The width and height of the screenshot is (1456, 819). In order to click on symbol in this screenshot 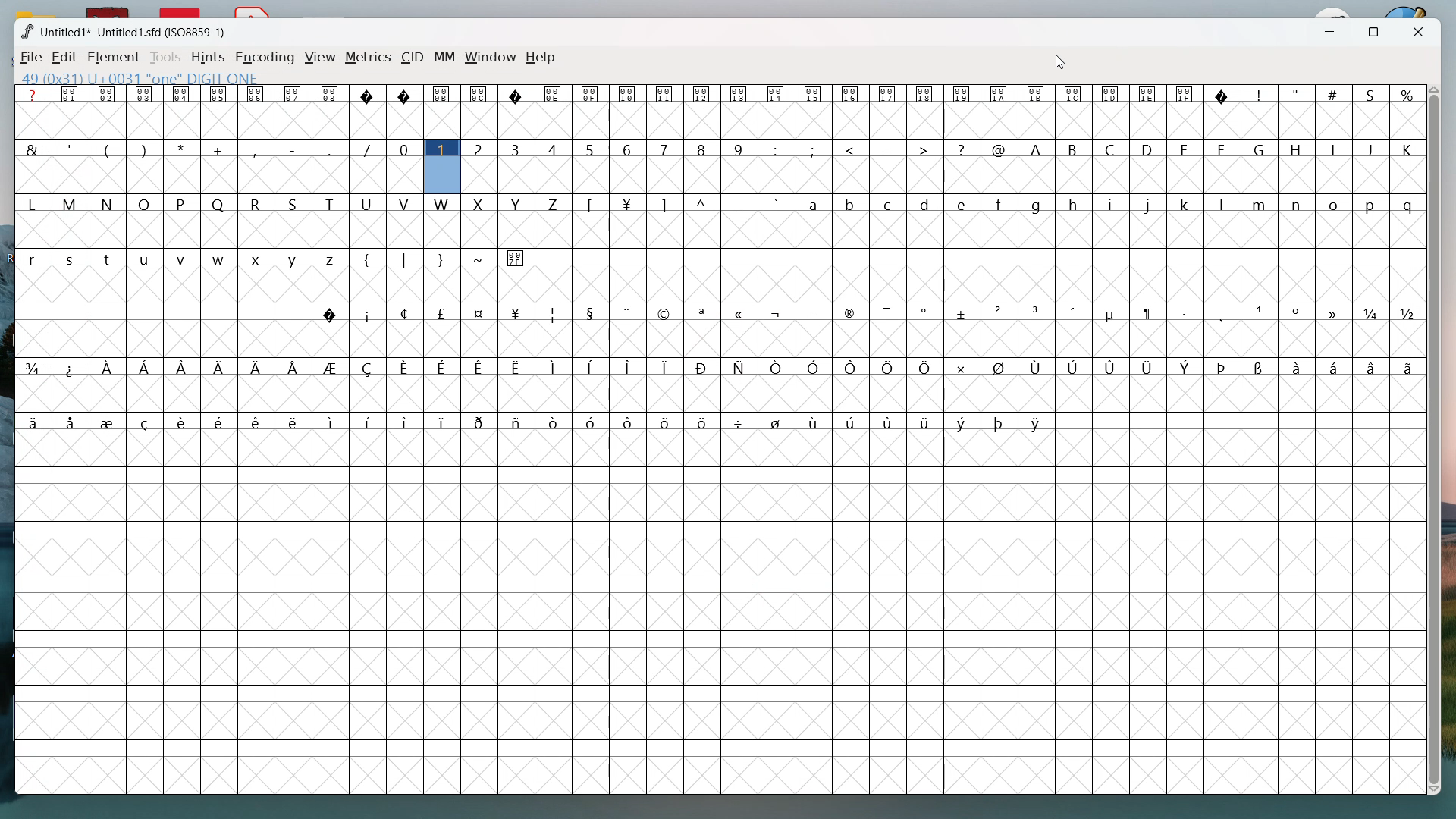, I will do `click(71, 422)`.